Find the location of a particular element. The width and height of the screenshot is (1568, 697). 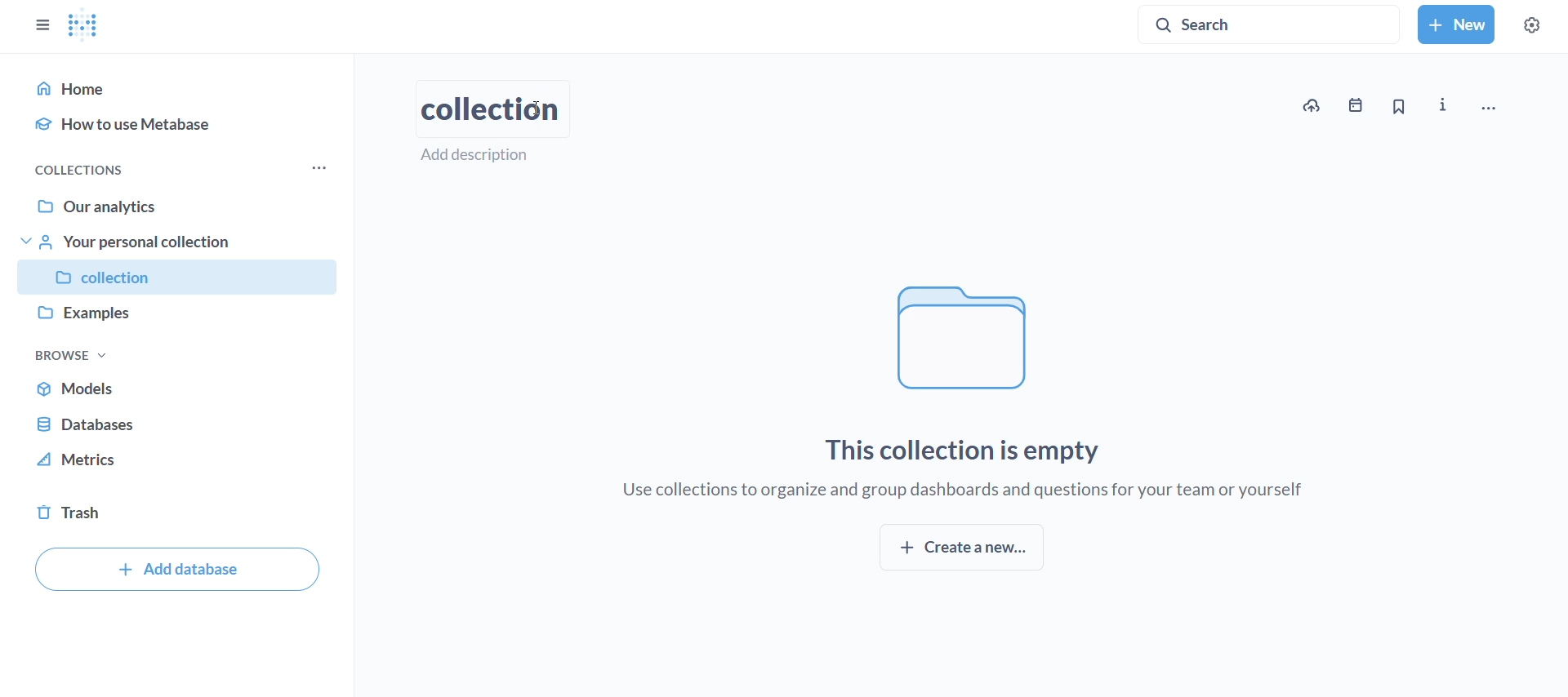

add database is located at coordinates (177, 569).